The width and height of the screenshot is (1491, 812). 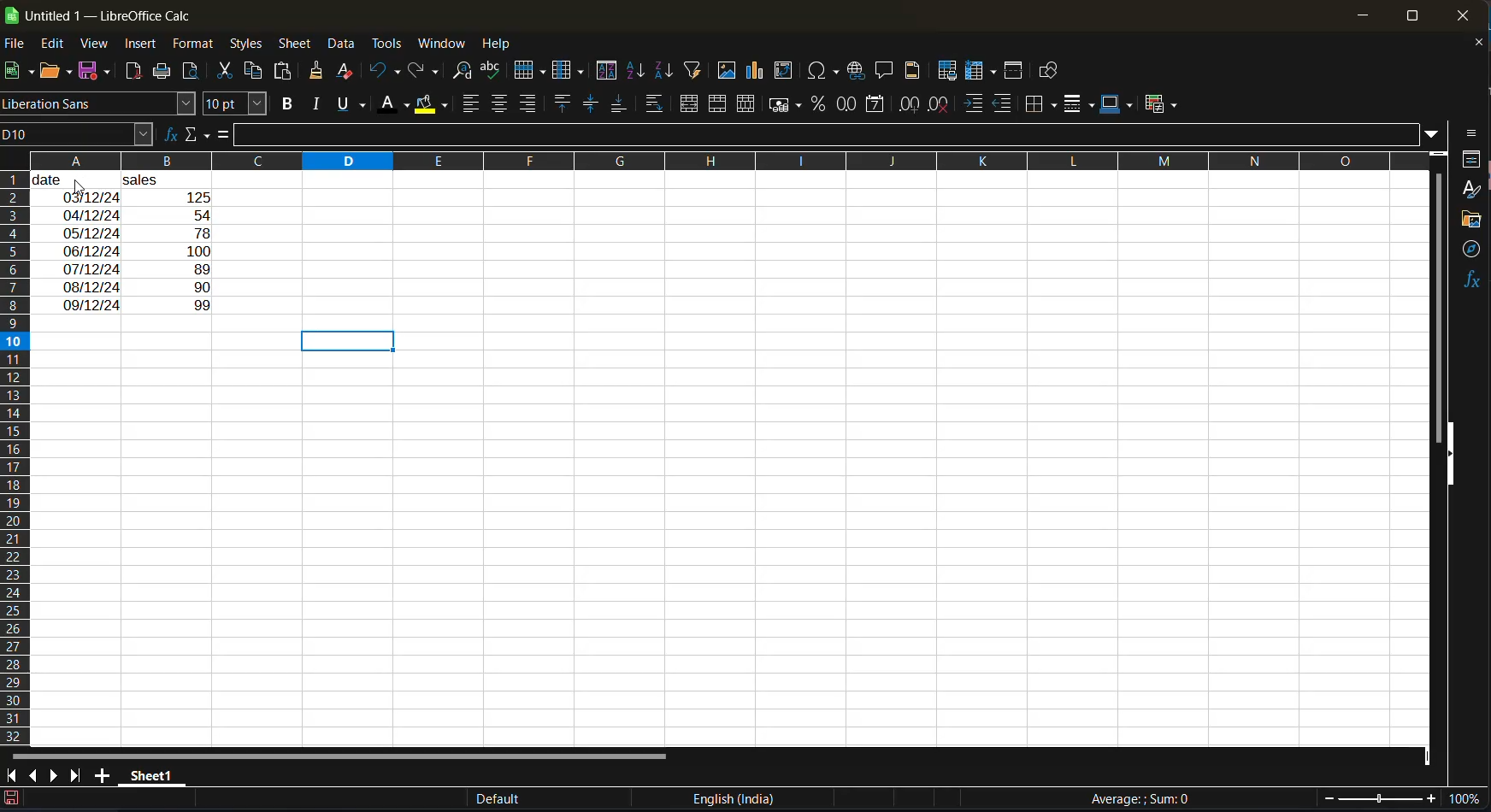 What do you see at coordinates (195, 47) in the screenshot?
I see `format` at bounding box center [195, 47].